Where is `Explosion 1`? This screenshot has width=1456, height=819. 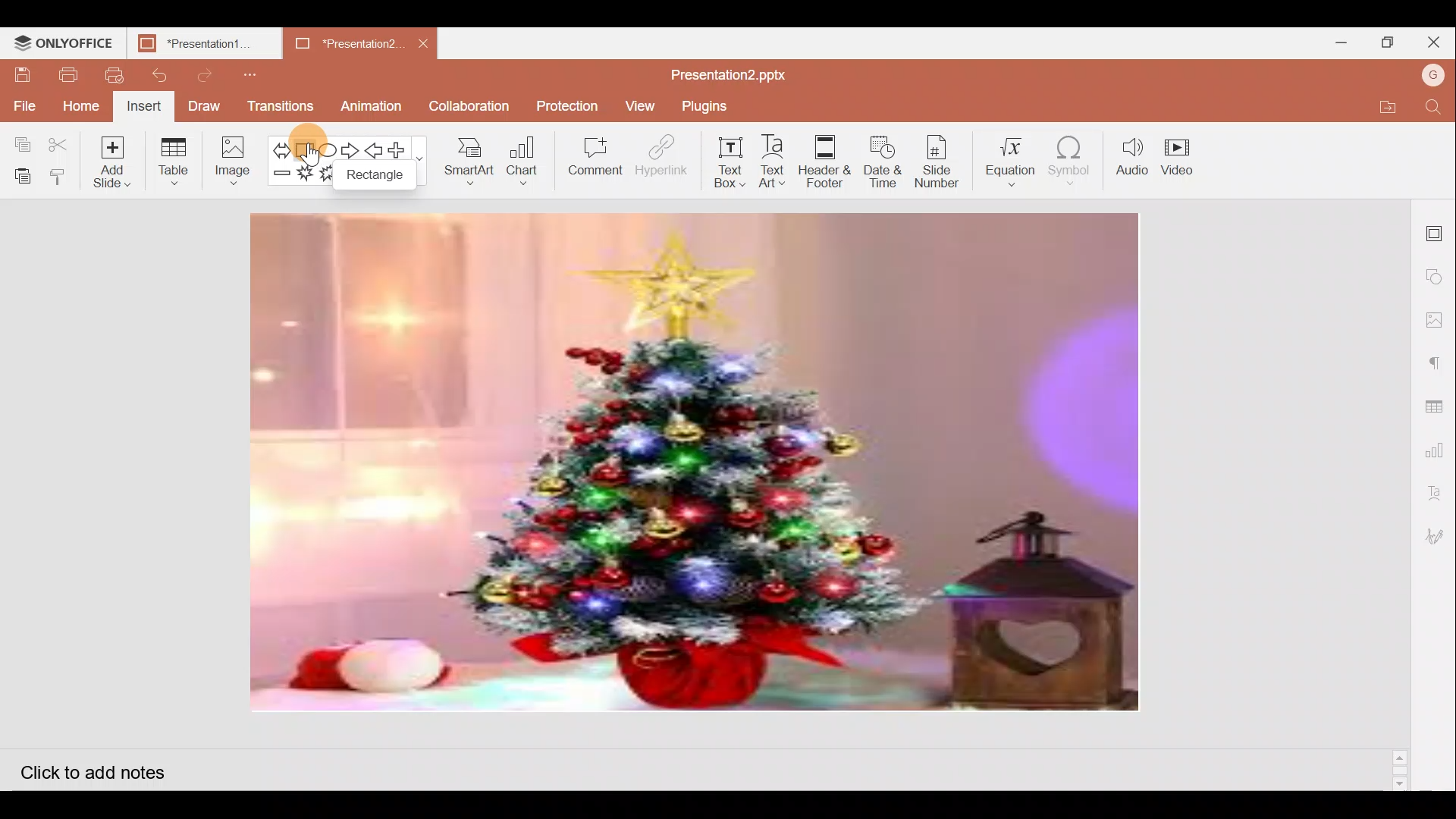
Explosion 1 is located at coordinates (305, 177).